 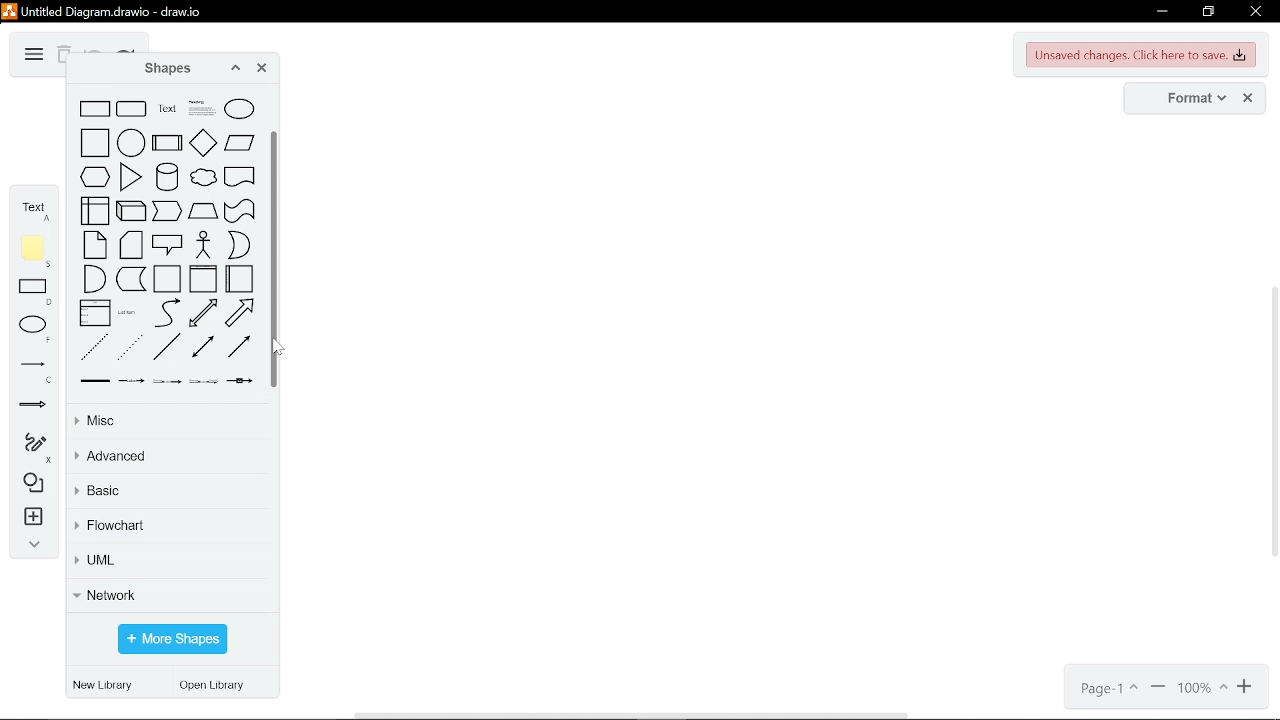 I want to click on tape, so click(x=240, y=211).